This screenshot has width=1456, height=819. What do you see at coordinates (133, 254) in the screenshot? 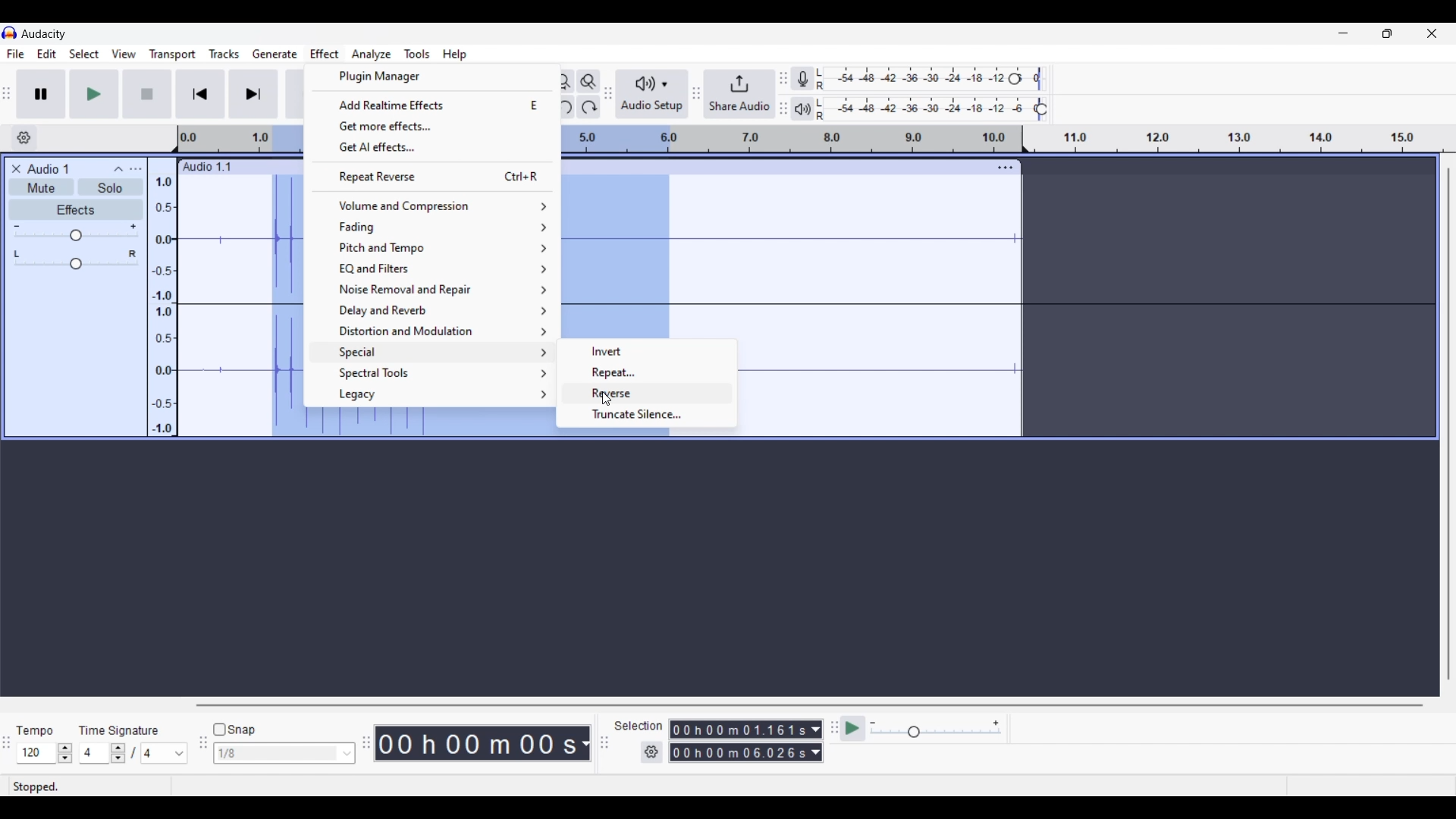
I see `Pan to right` at bounding box center [133, 254].